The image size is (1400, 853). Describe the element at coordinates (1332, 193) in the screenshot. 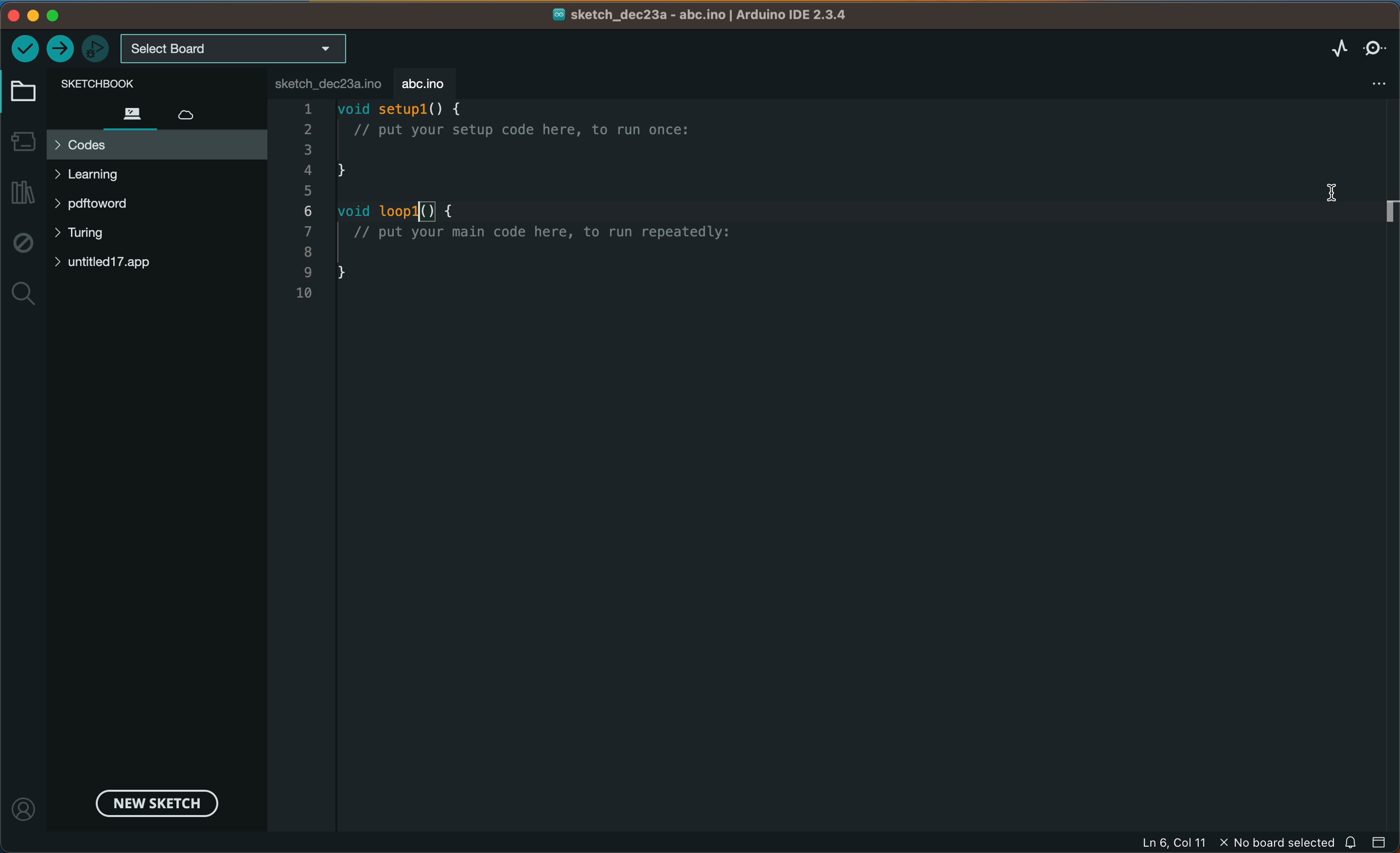

I see `cursor` at that location.